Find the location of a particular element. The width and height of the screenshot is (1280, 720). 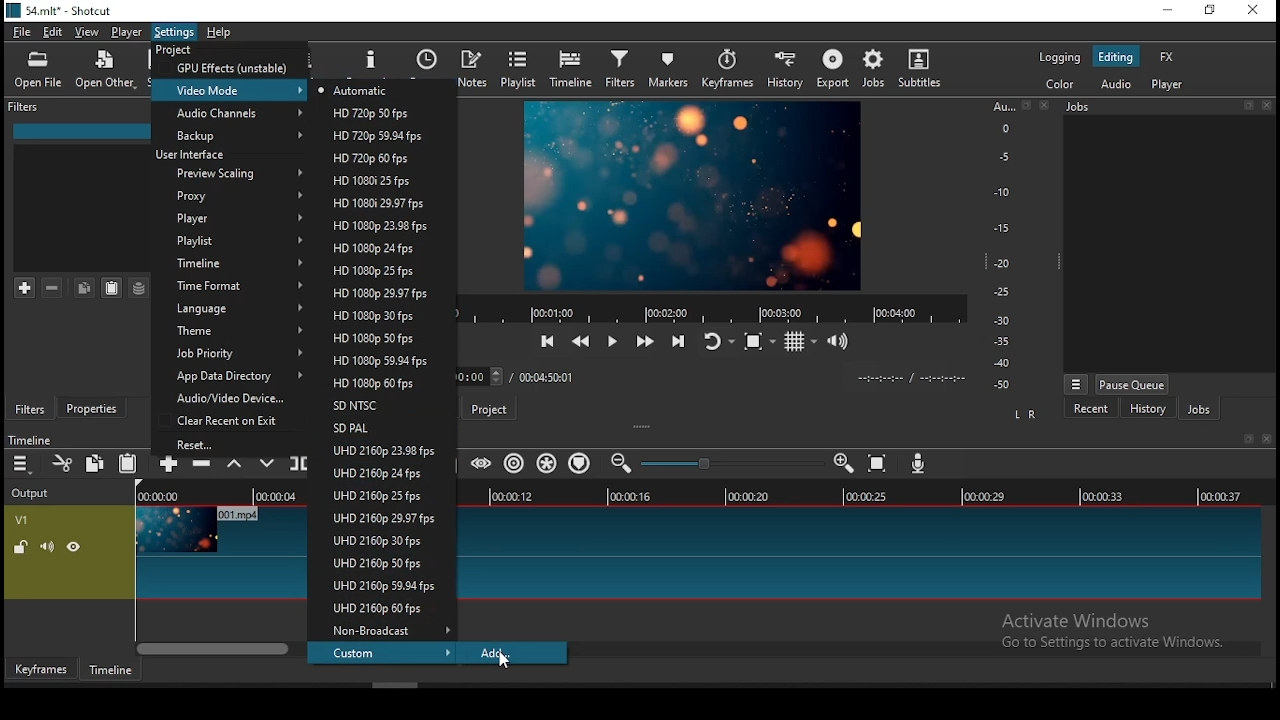

add is located at coordinates (513, 654).